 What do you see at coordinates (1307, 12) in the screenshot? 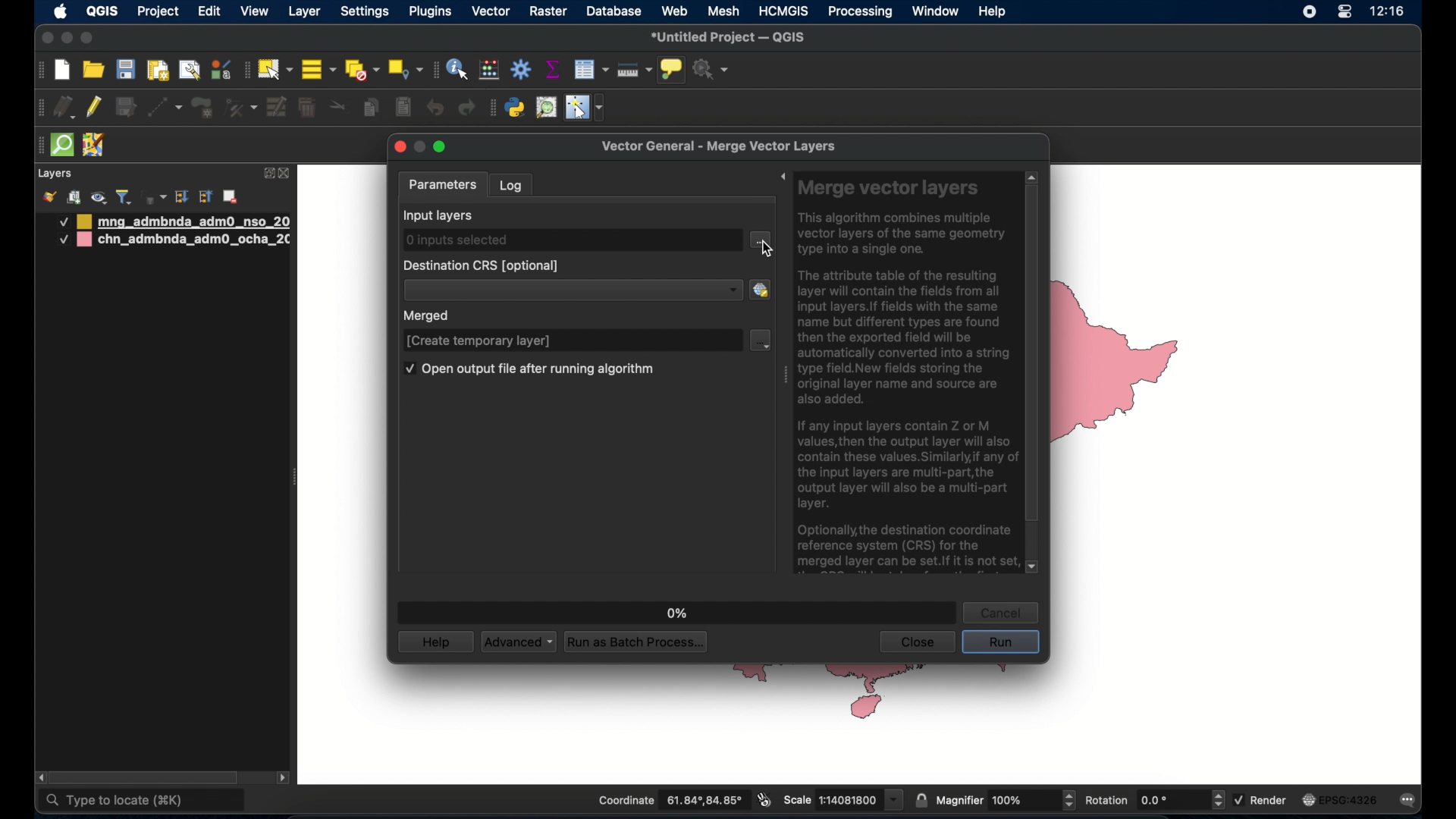
I see `screen recorder icon` at bounding box center [1307, 12].